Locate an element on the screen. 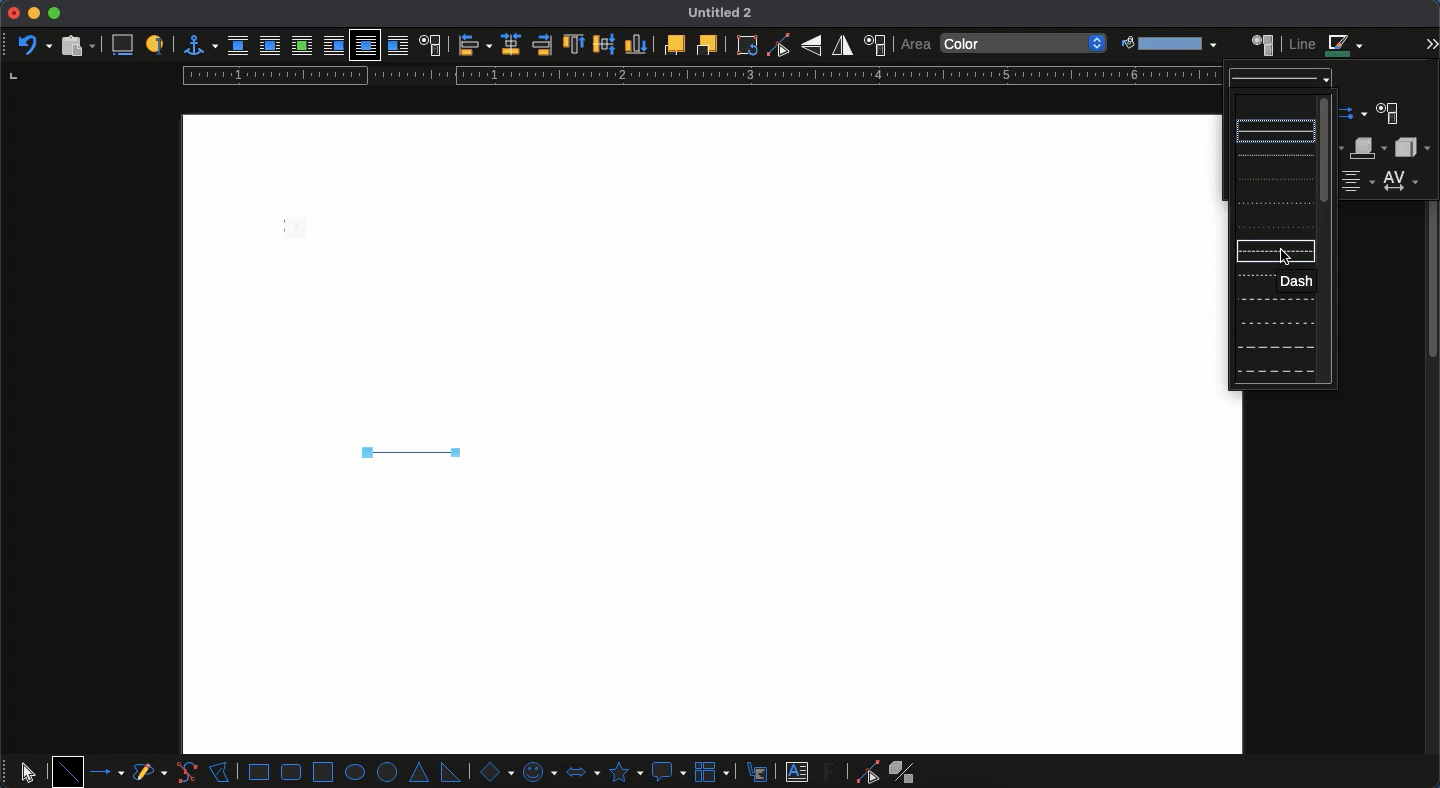 This screenshot has width=1440, height=788. align objects is located at coordinates (475, 45).